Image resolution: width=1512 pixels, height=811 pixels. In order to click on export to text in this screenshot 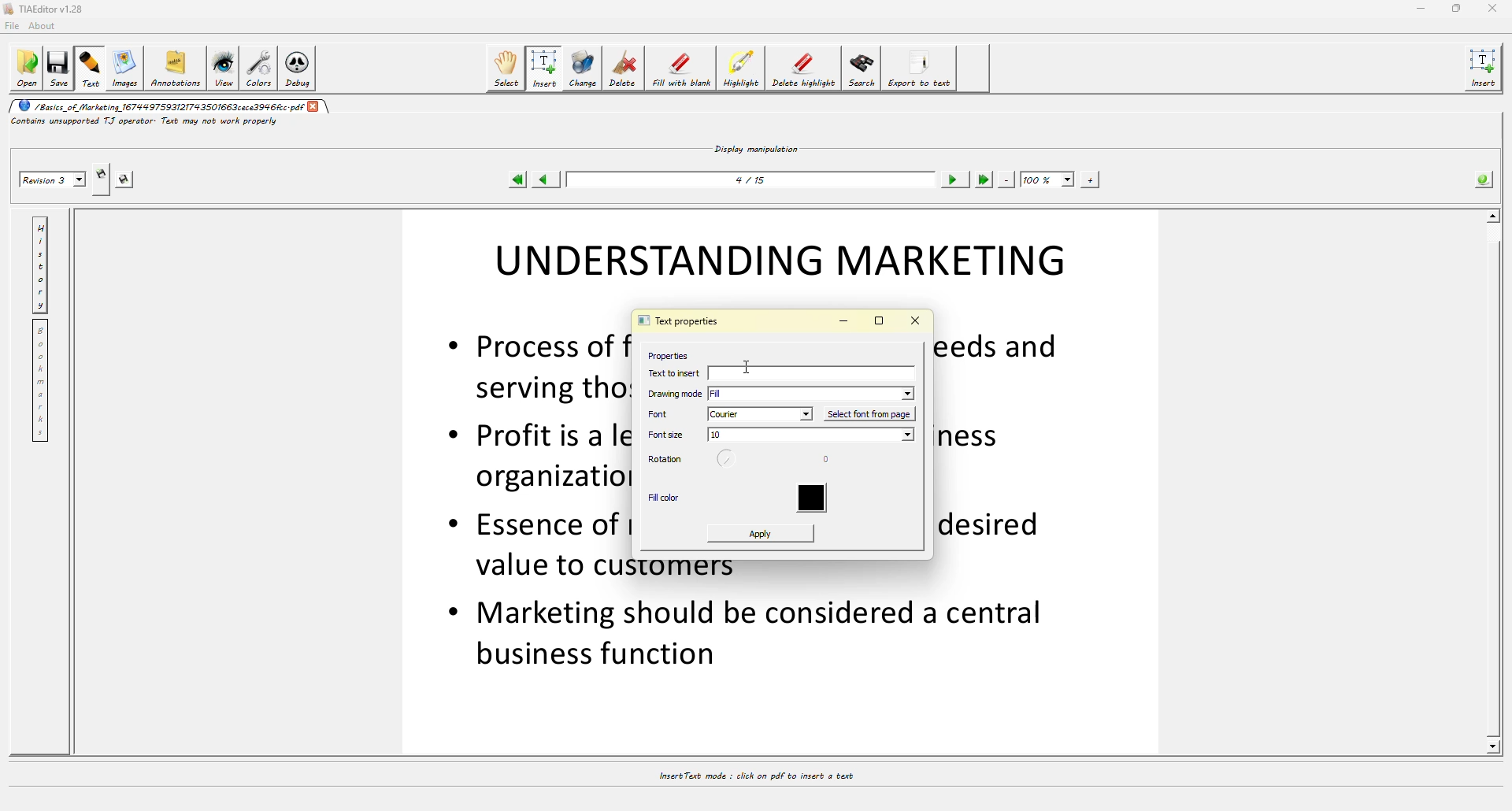, I will do `click(922, 69)`.